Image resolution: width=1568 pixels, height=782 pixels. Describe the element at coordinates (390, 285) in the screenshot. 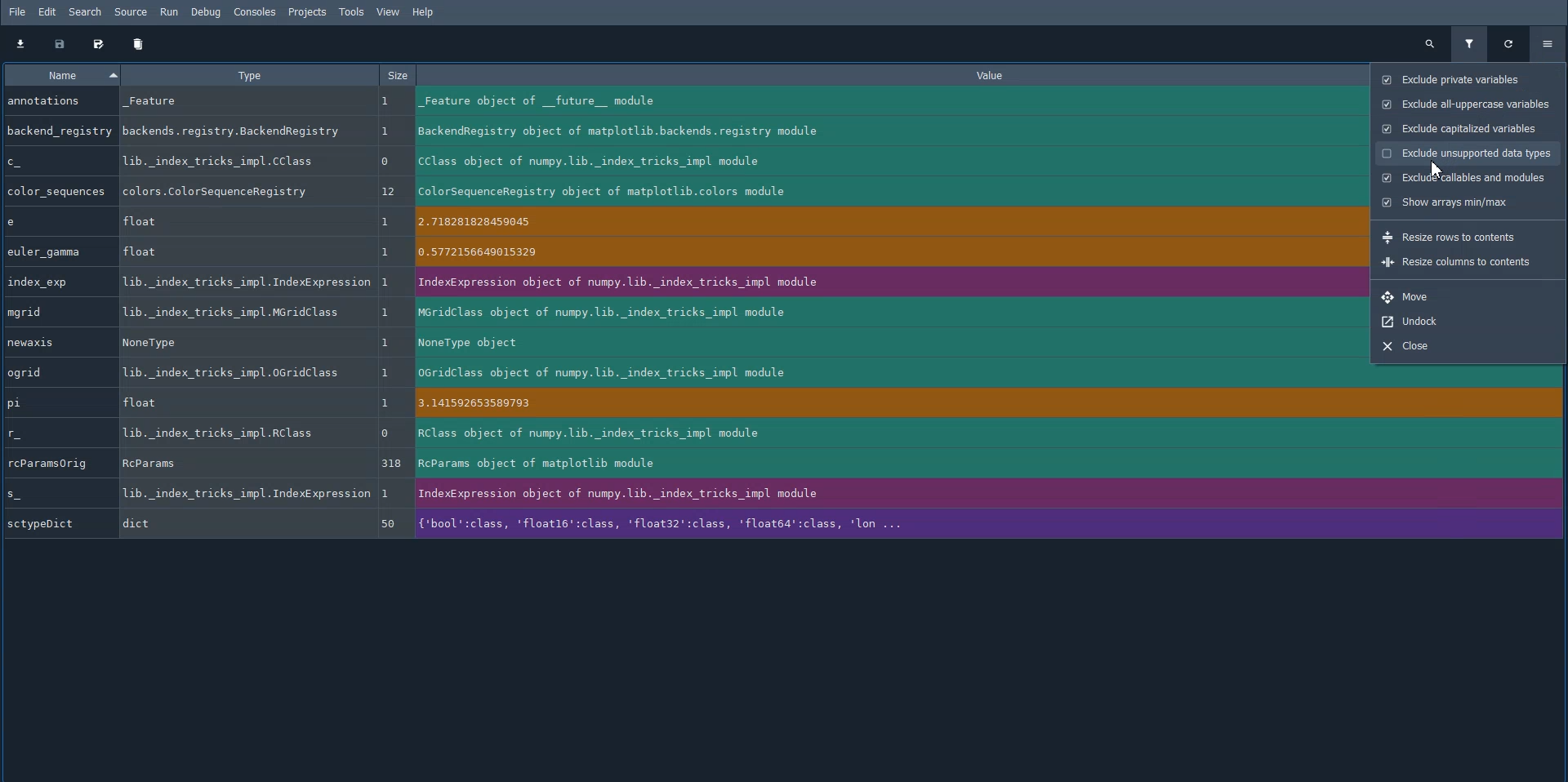

I see `1` at that location.